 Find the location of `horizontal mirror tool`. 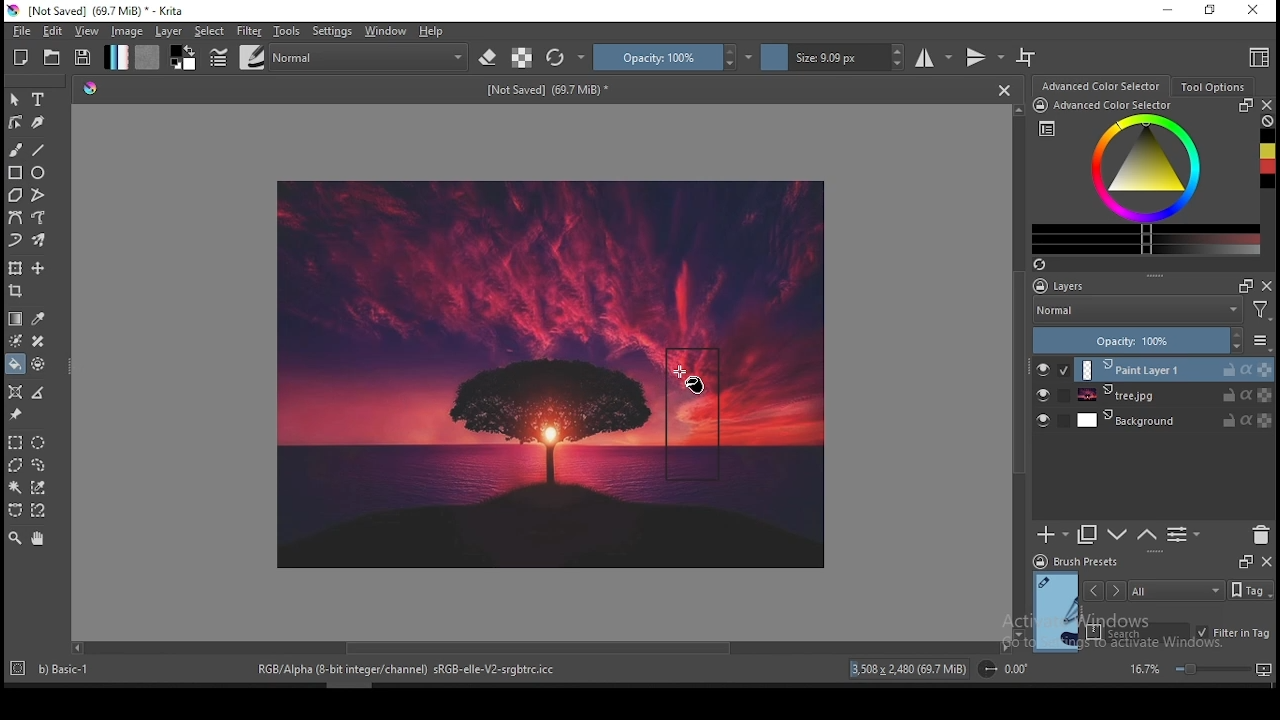

horizontal mirror tool is located at coordinates (935, 57).